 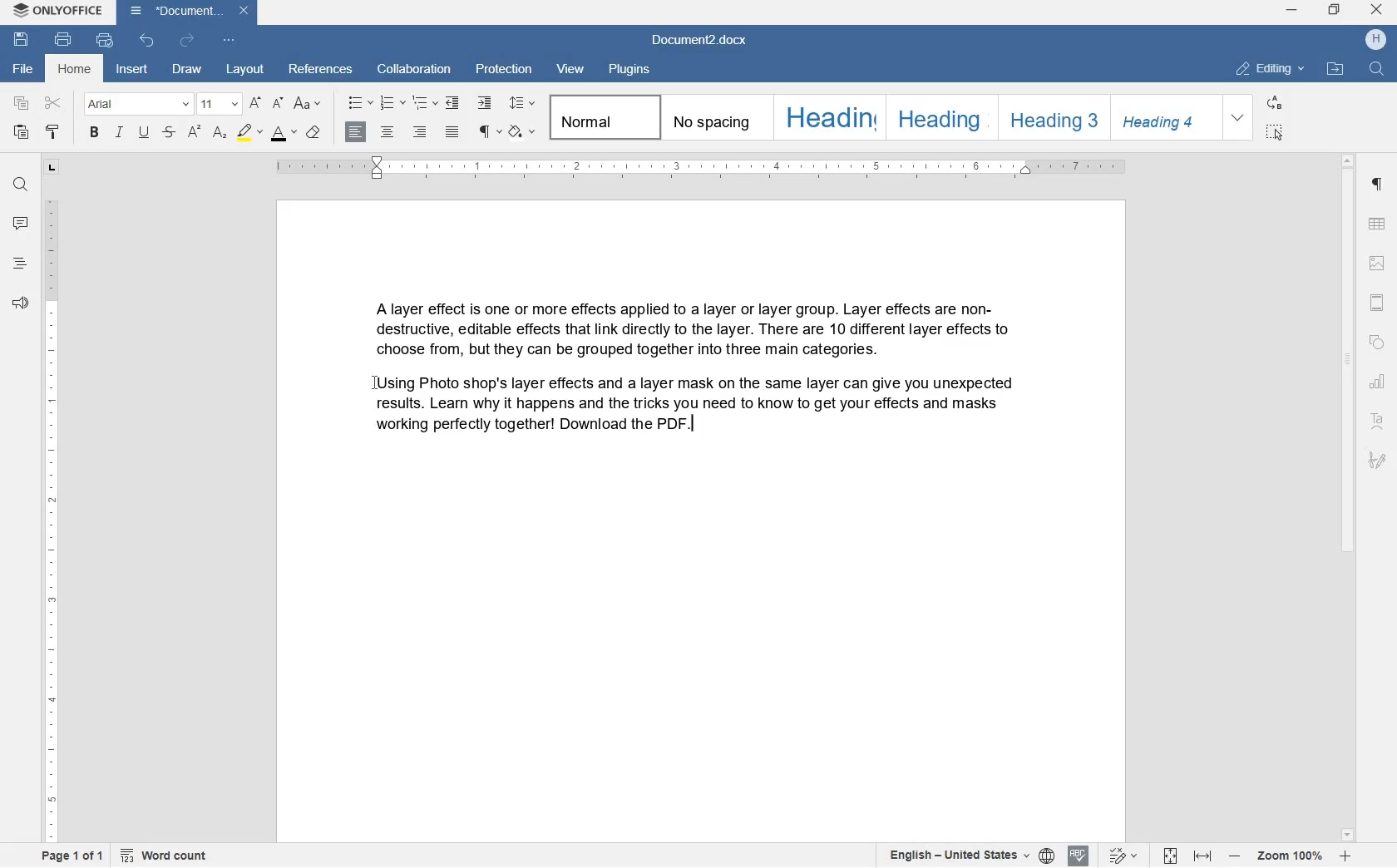 What do you see at coordinates (118, 134) in the screenshot?
I see `ITALIC` at bounding box center [118, 134].